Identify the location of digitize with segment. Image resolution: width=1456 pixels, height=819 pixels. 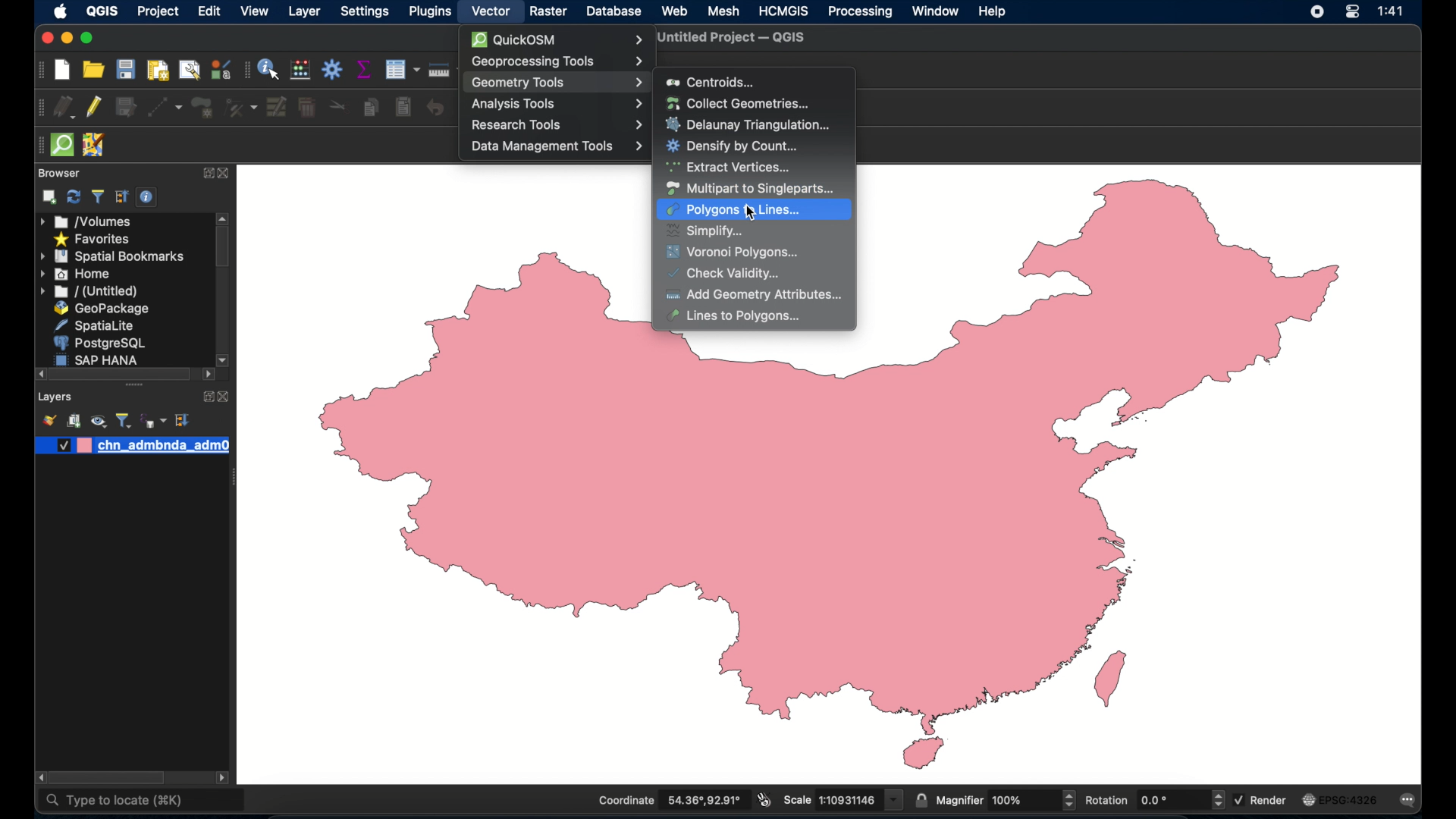
(165, 107).